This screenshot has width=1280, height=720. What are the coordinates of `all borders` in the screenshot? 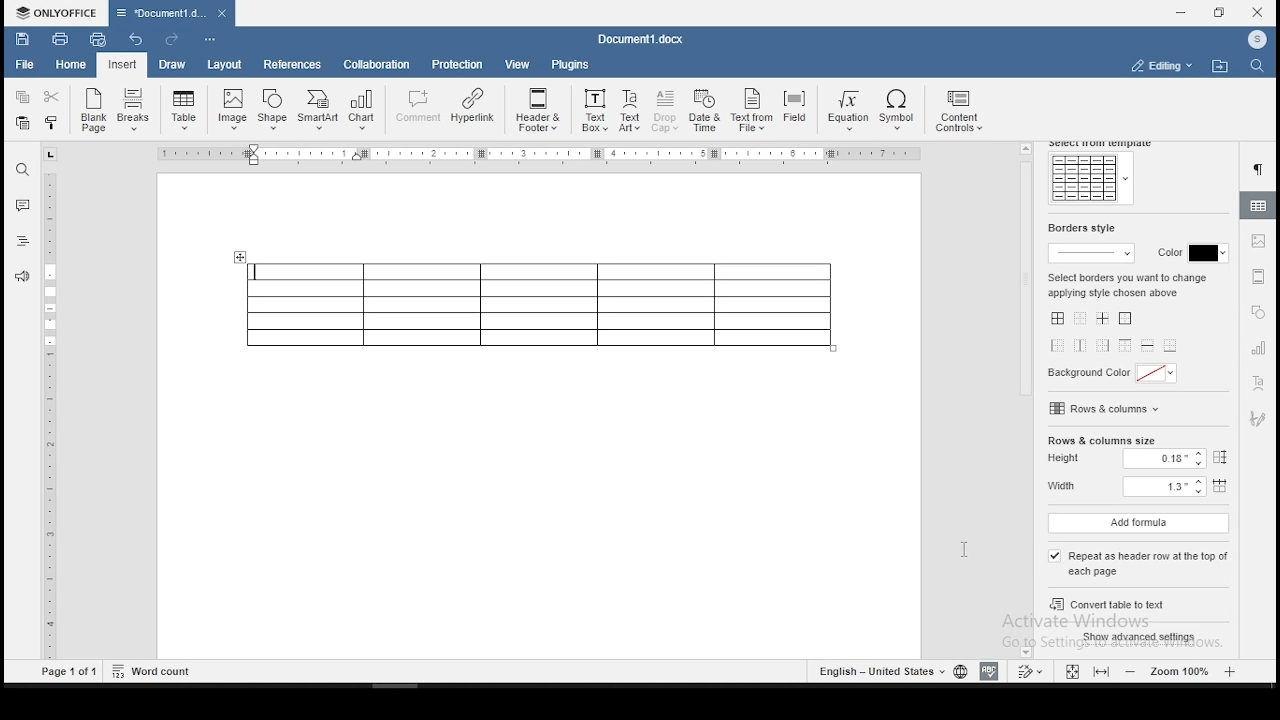 It's located at (1056, 319).